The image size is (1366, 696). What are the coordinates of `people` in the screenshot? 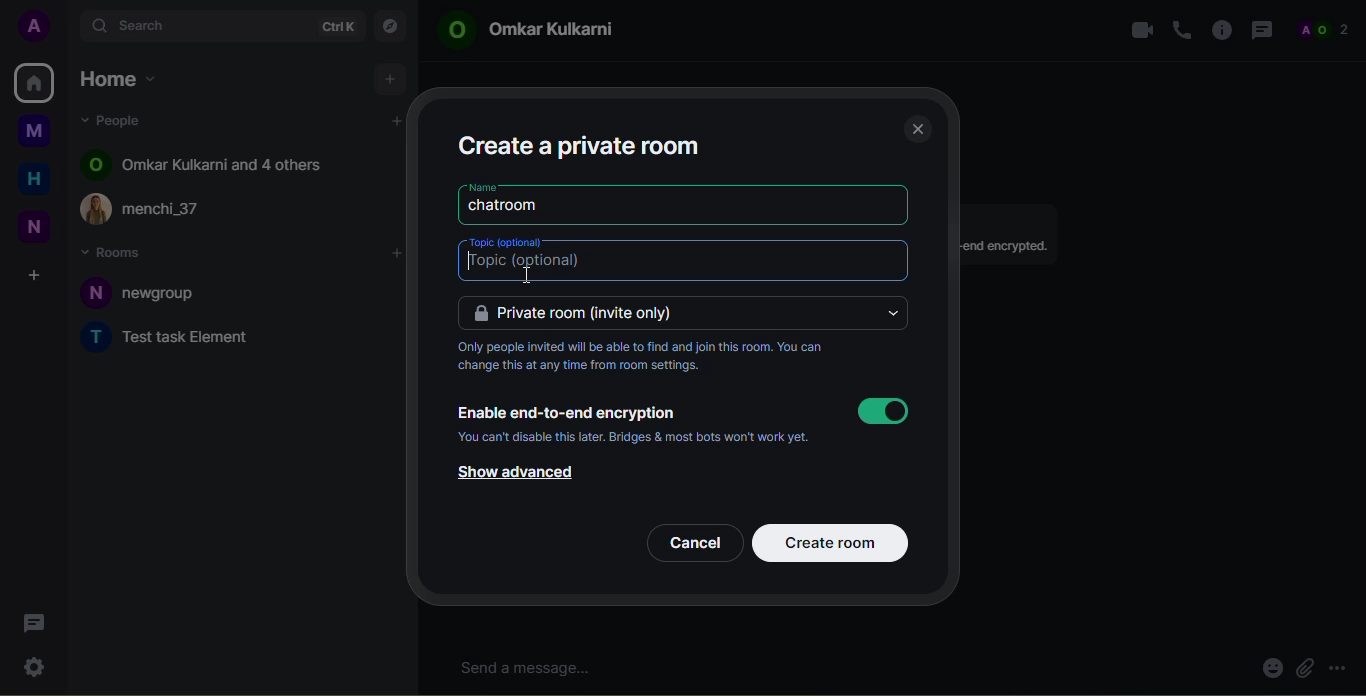 It's located at (1329, 29).